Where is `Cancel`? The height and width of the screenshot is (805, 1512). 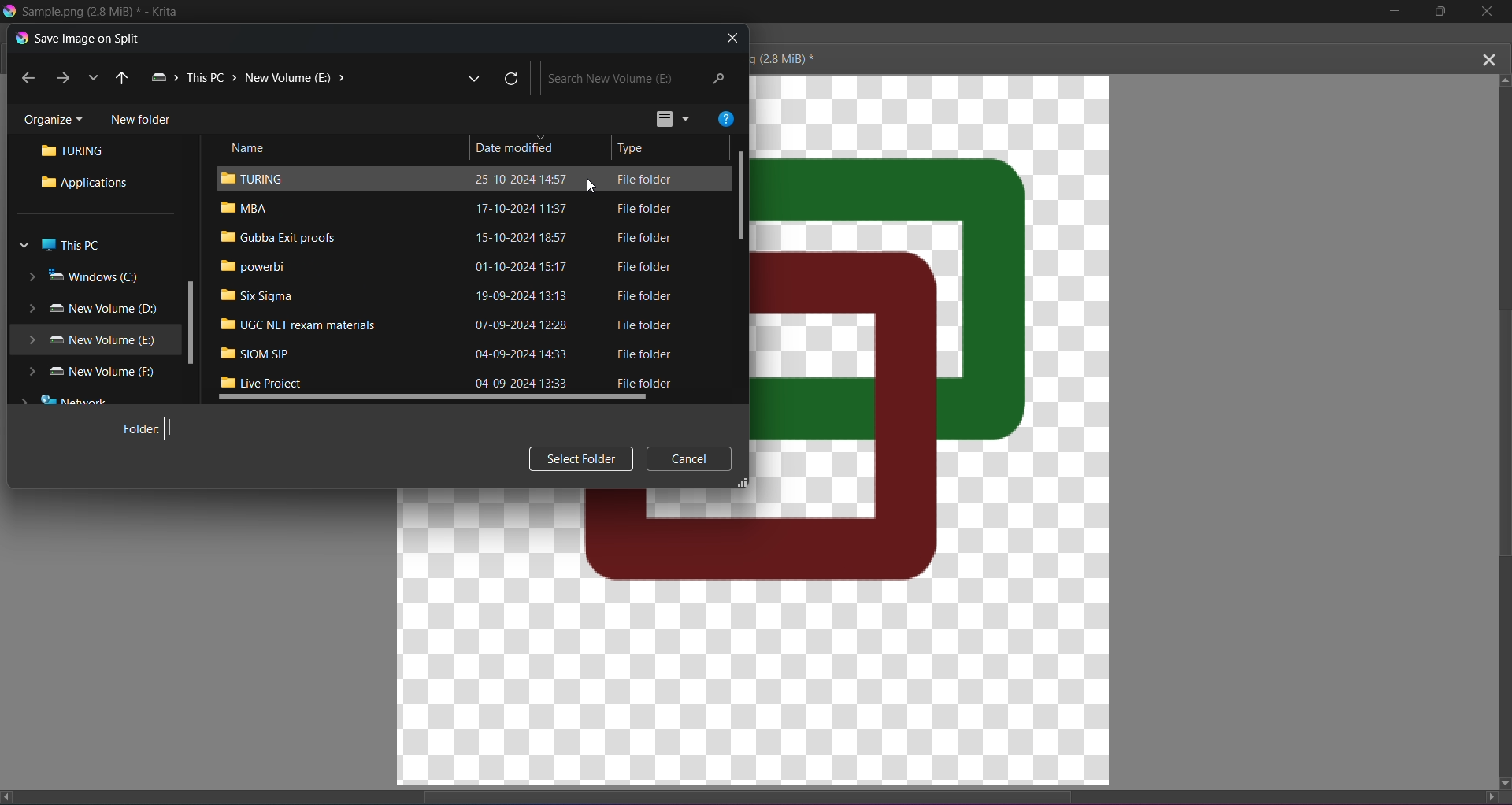
Cancel is located at coordinates (690, 461).